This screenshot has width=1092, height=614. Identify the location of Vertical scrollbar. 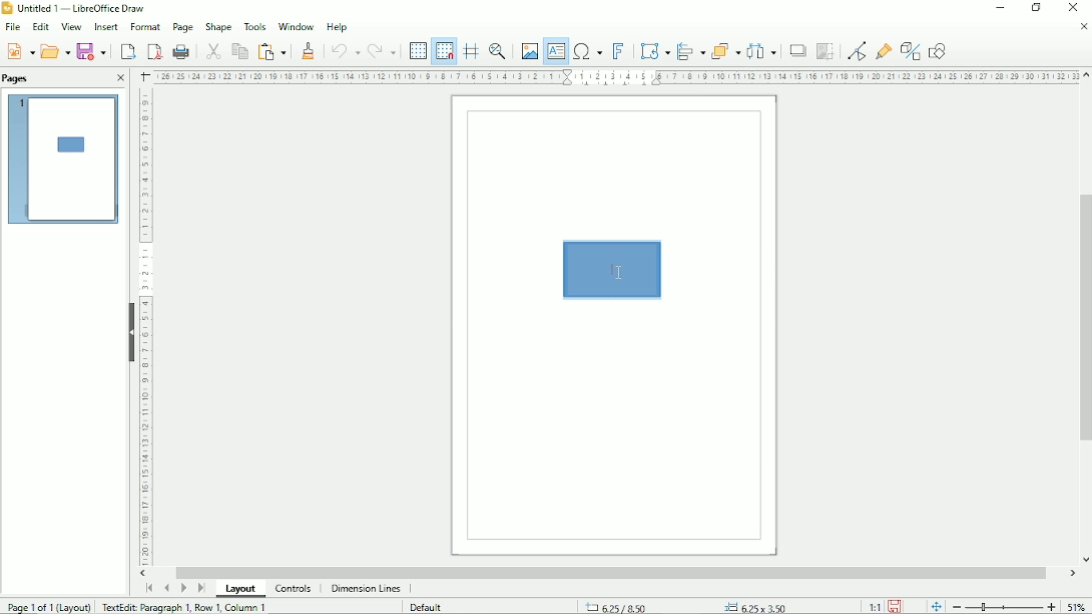
(1083, 317).